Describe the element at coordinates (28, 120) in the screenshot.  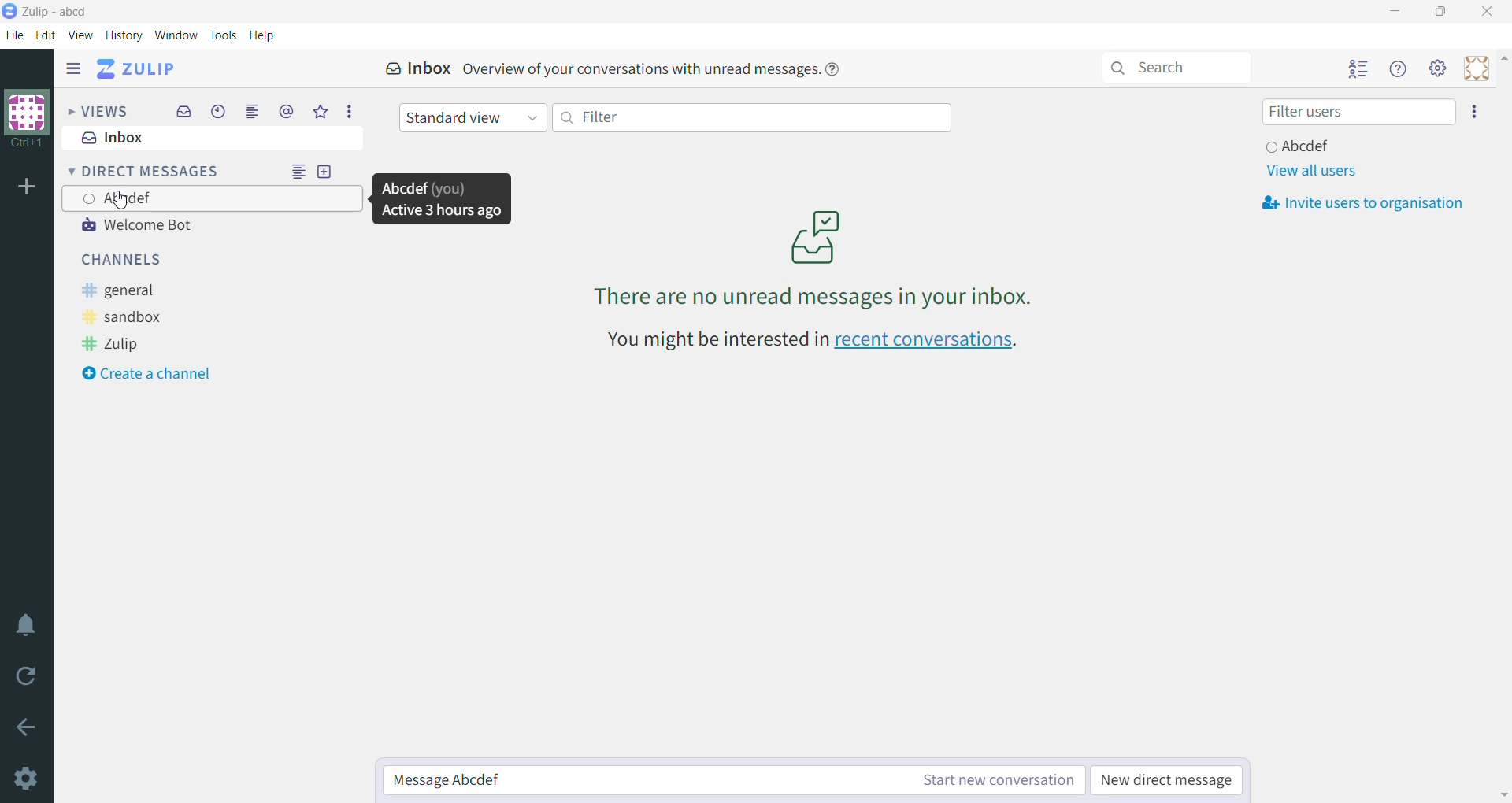
I see `Organization Name` at that location.